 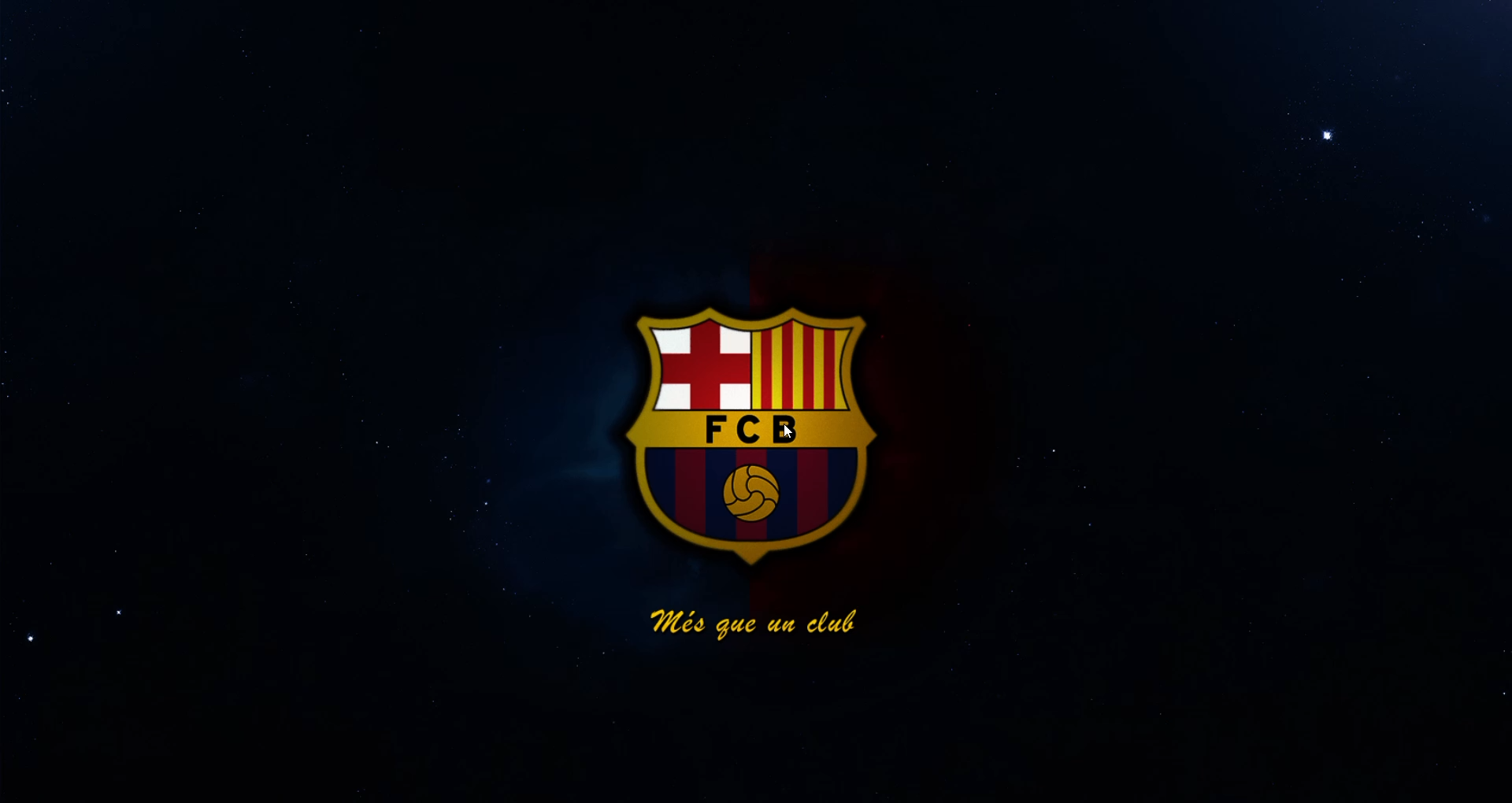 What do you see at coordinates (754, 402) in the screenshot?
I see `desktop` at bounding box center [754, 402].